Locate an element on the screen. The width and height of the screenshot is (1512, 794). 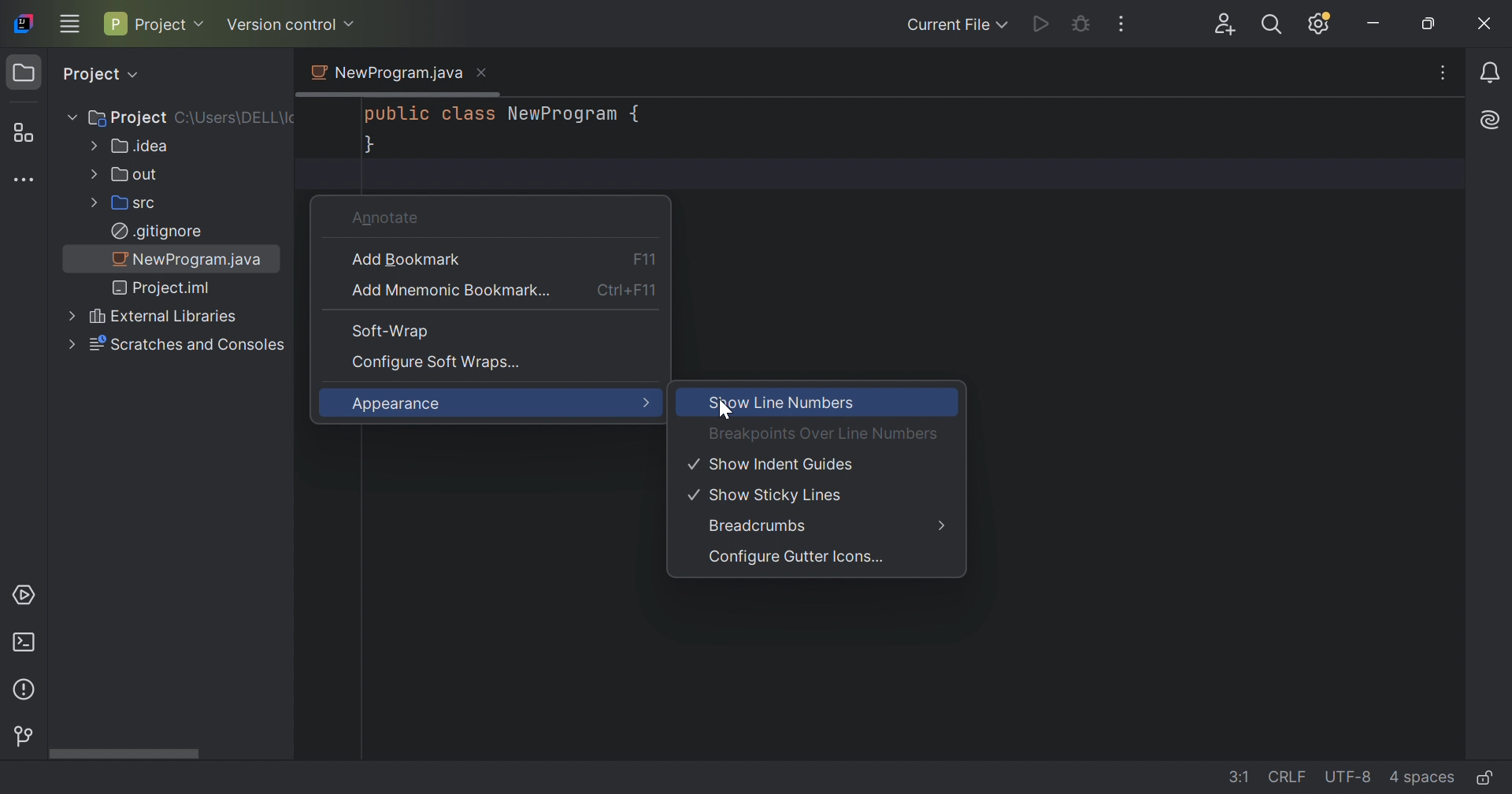
Close is located at coordinates (481, 72).